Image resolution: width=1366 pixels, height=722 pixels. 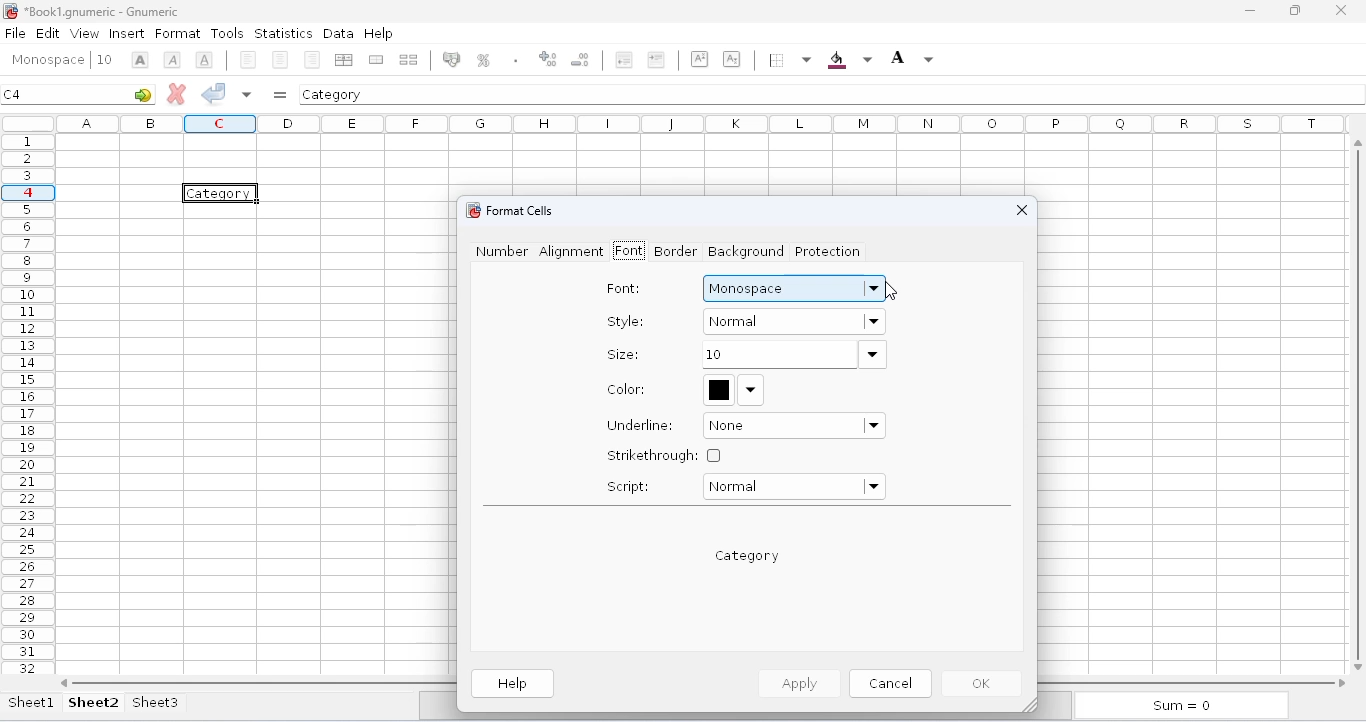 What do you see at coordinates (178, 34) in the screenshot?
I see `format` at bounding box center [178, 34].